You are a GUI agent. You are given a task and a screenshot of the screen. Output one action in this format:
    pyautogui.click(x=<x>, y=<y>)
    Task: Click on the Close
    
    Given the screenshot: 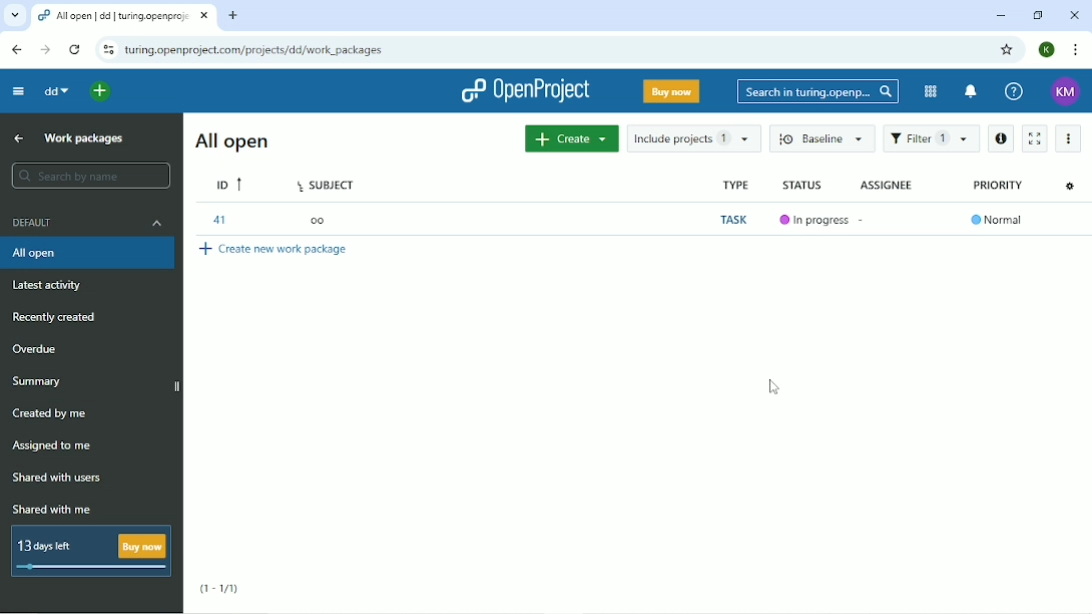 What is the action you would take?
    pyautogui.click(x=1073, y=14)
    